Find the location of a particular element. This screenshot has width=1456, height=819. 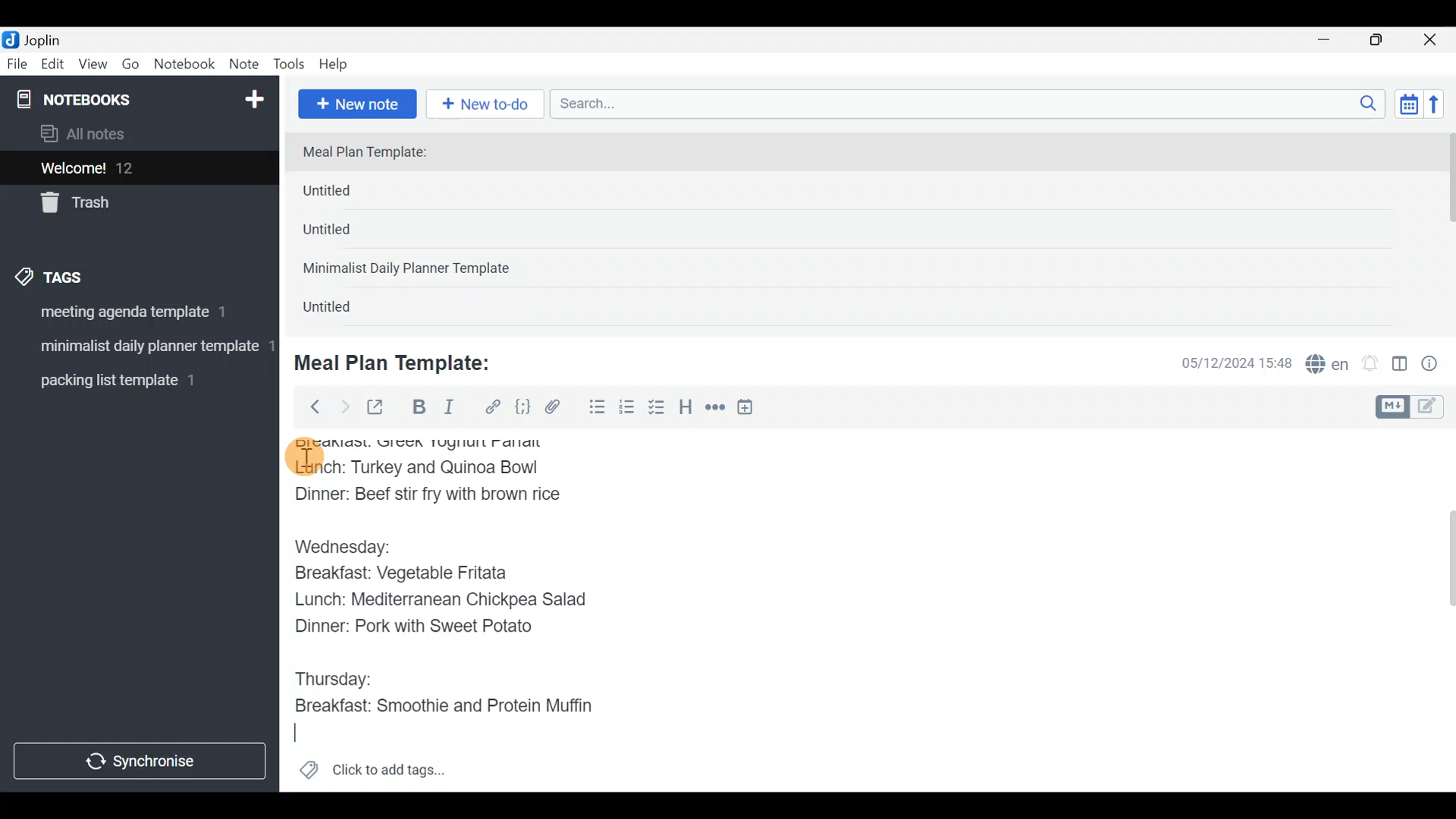

Meal Plan Template: is located at coordinates (402, 361).